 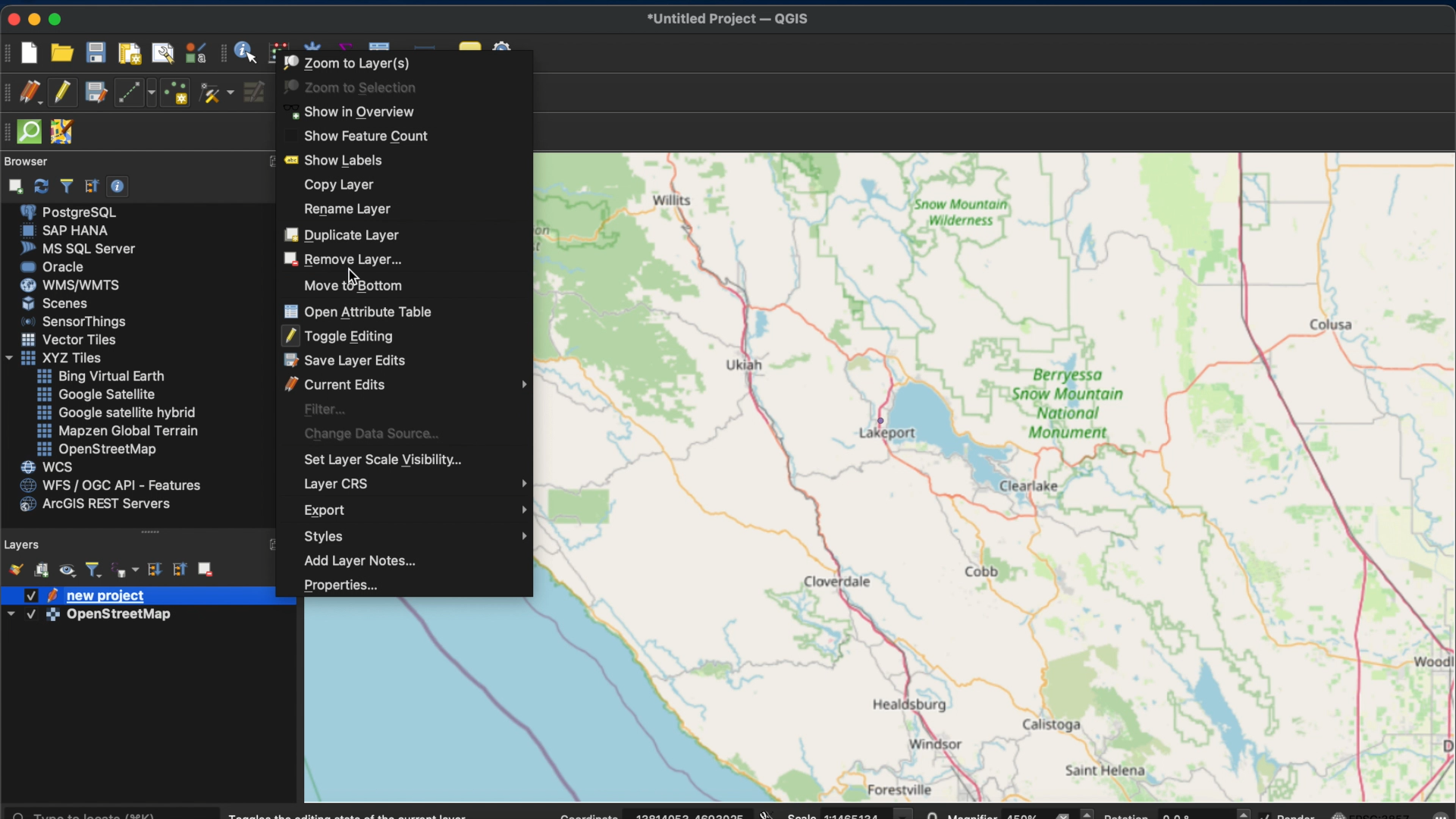 What do you see at coordinates (46, 466) in the screenshot?
I see `wcs` at bounding box center [46, 466].